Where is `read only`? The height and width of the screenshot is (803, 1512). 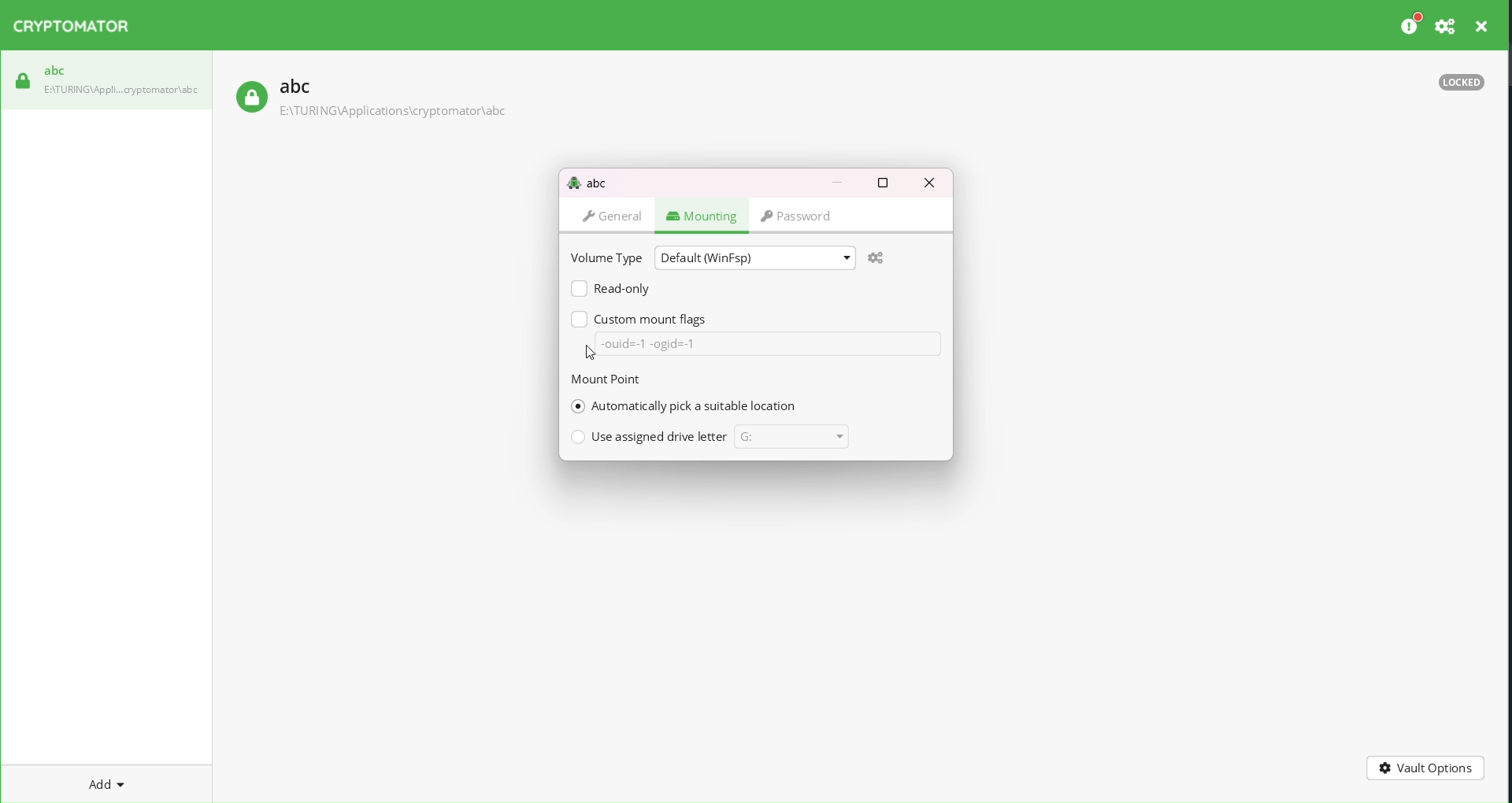
read only is located at coordinates (609, 289).